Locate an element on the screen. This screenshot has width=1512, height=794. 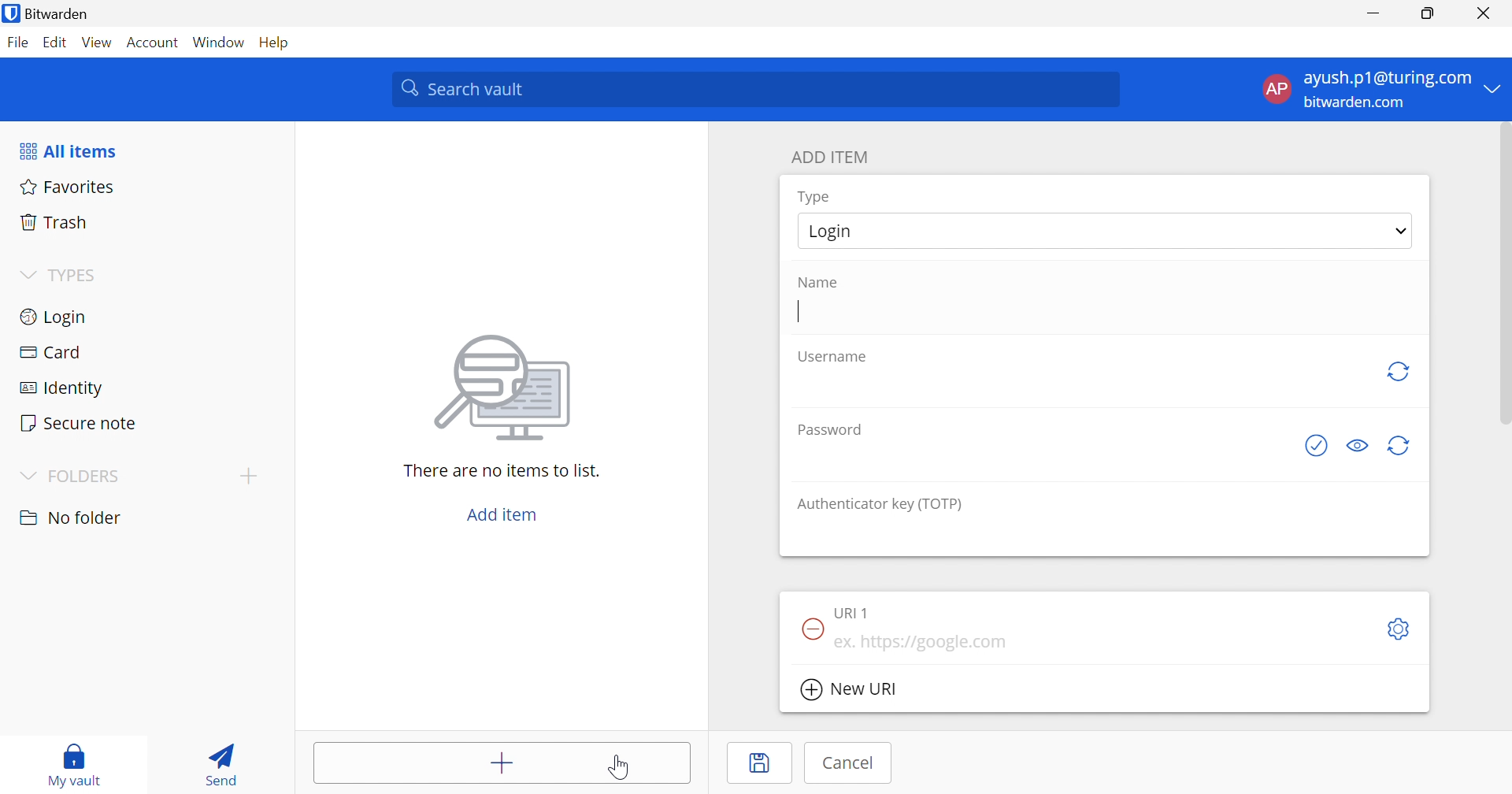
Regenerate password is located at coordinates (1400, 447).